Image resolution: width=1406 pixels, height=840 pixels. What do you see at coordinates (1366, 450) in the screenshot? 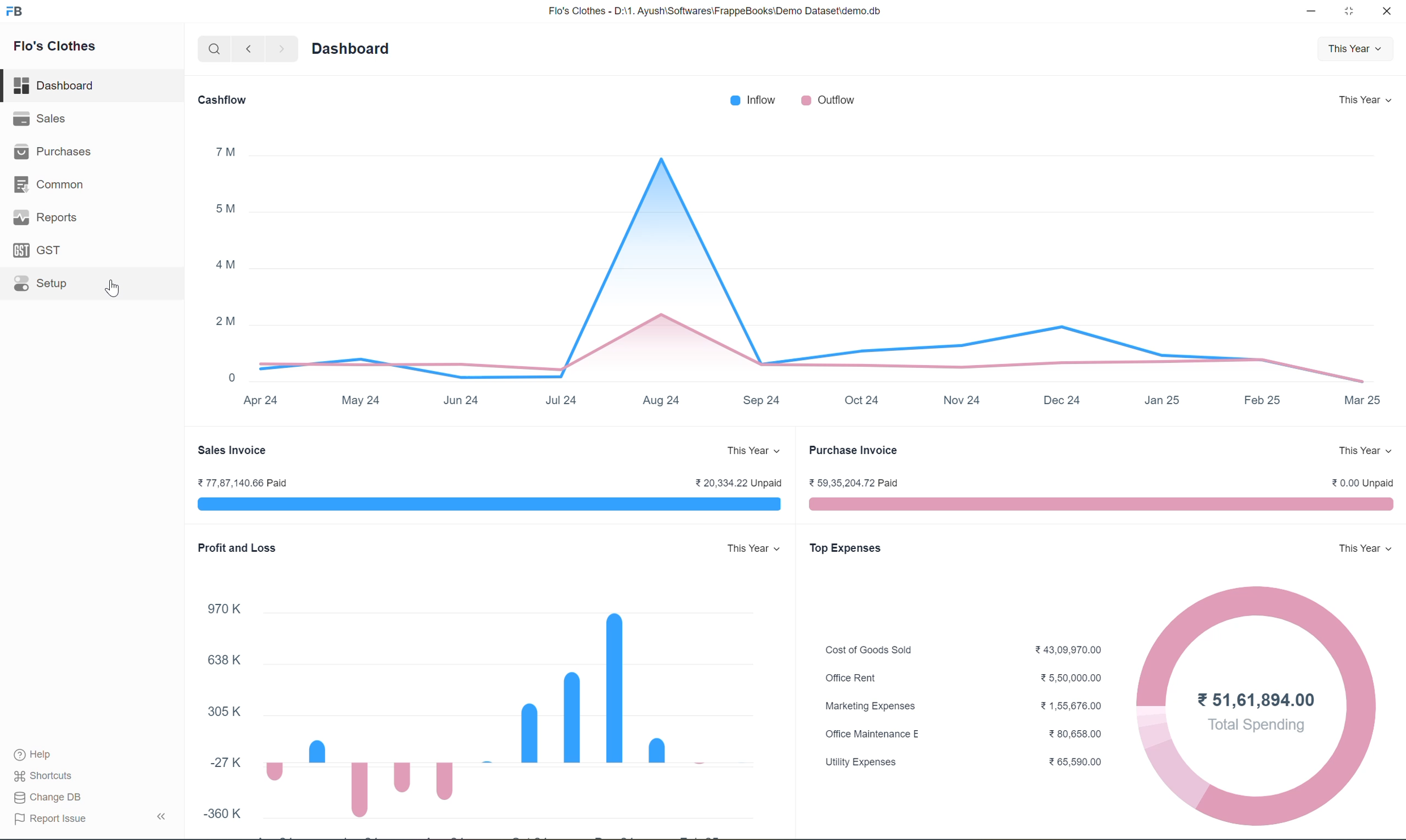
I see `This Year` at bounding box center [1366, 450].